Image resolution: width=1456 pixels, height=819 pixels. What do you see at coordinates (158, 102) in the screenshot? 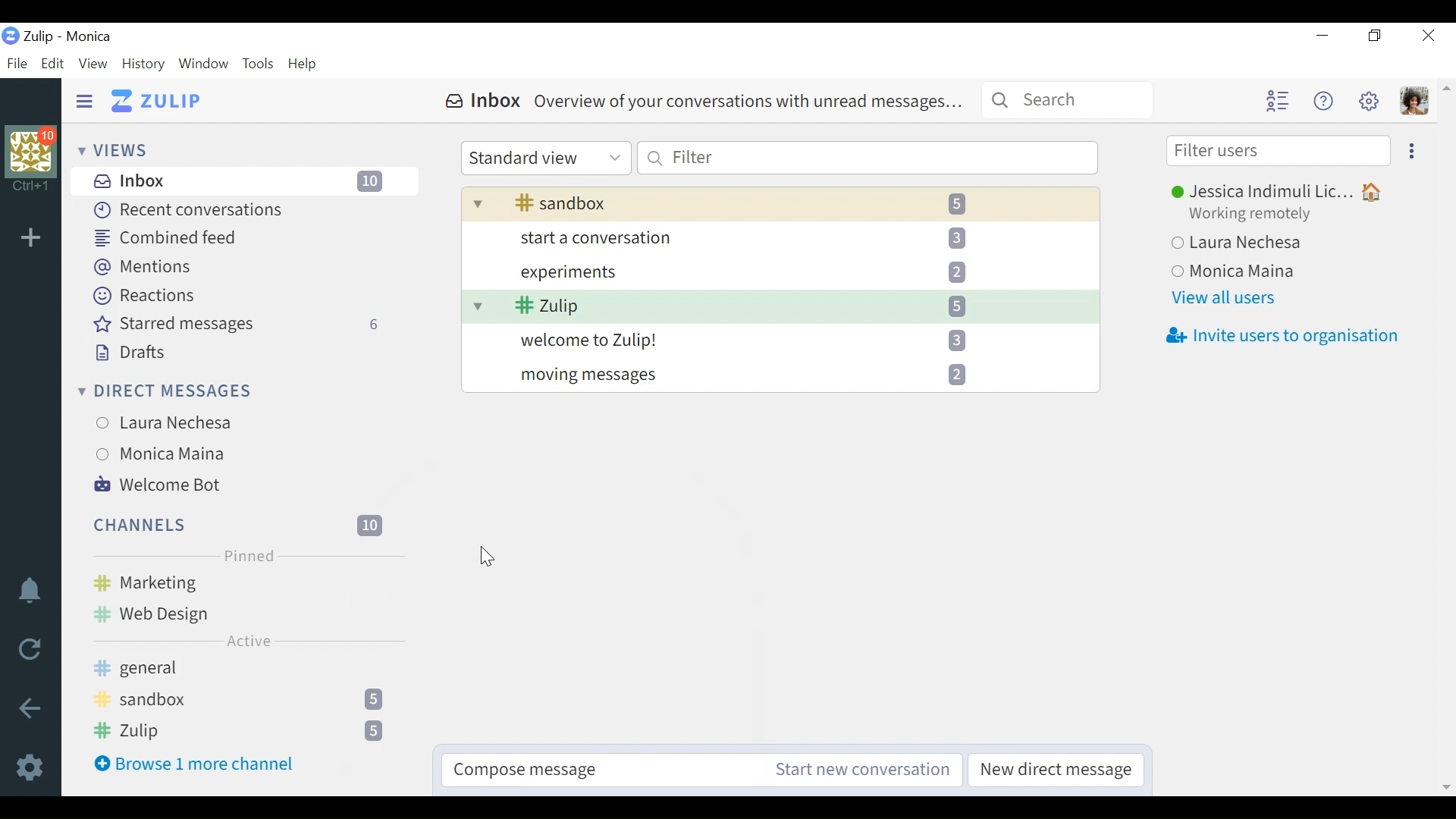
I see `Zulip` at bounding box center [158, 102].